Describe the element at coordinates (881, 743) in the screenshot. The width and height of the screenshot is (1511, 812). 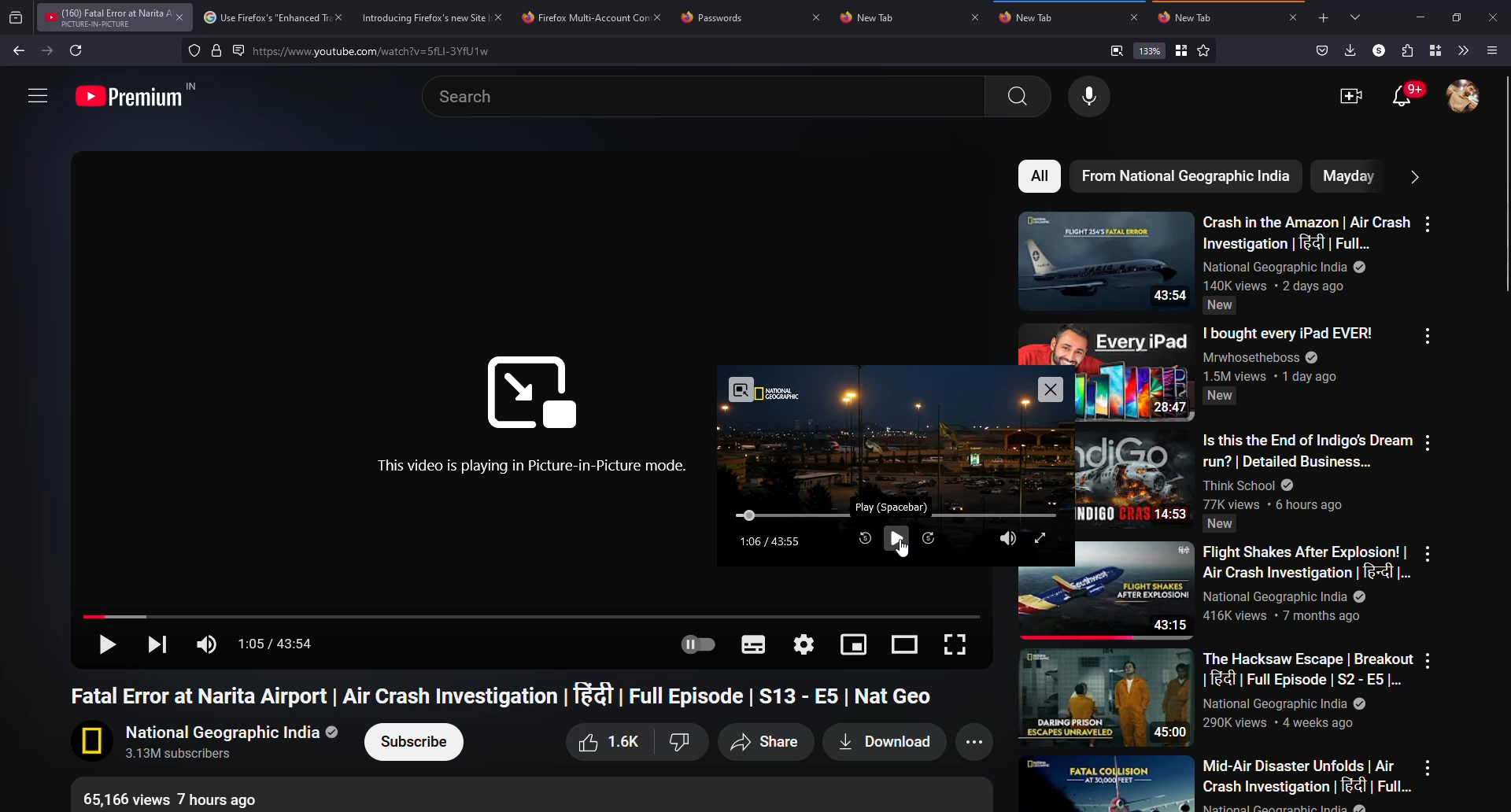
I see `download` at that location.